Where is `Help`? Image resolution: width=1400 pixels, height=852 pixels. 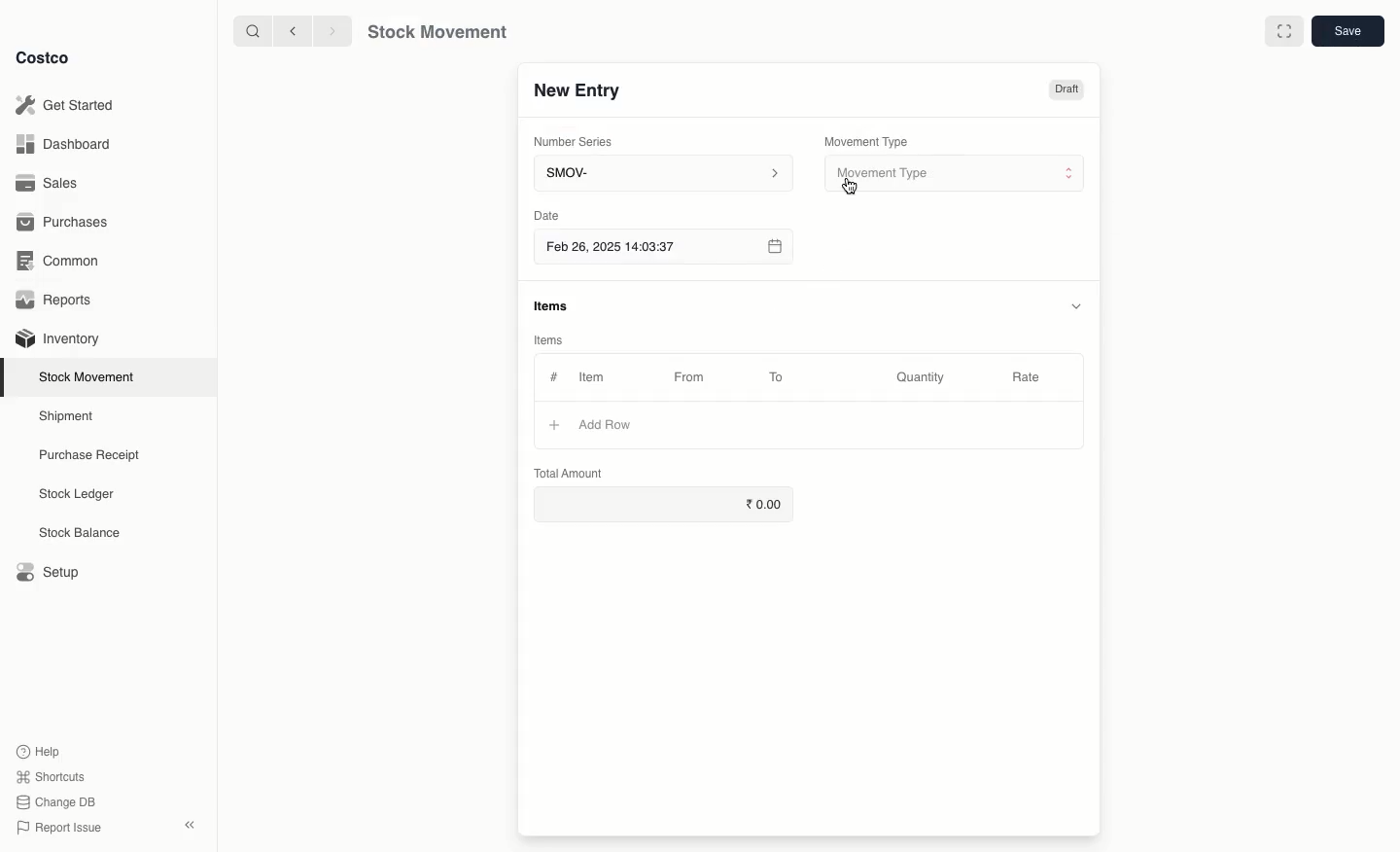 Help is located at coordinates (40, 749).